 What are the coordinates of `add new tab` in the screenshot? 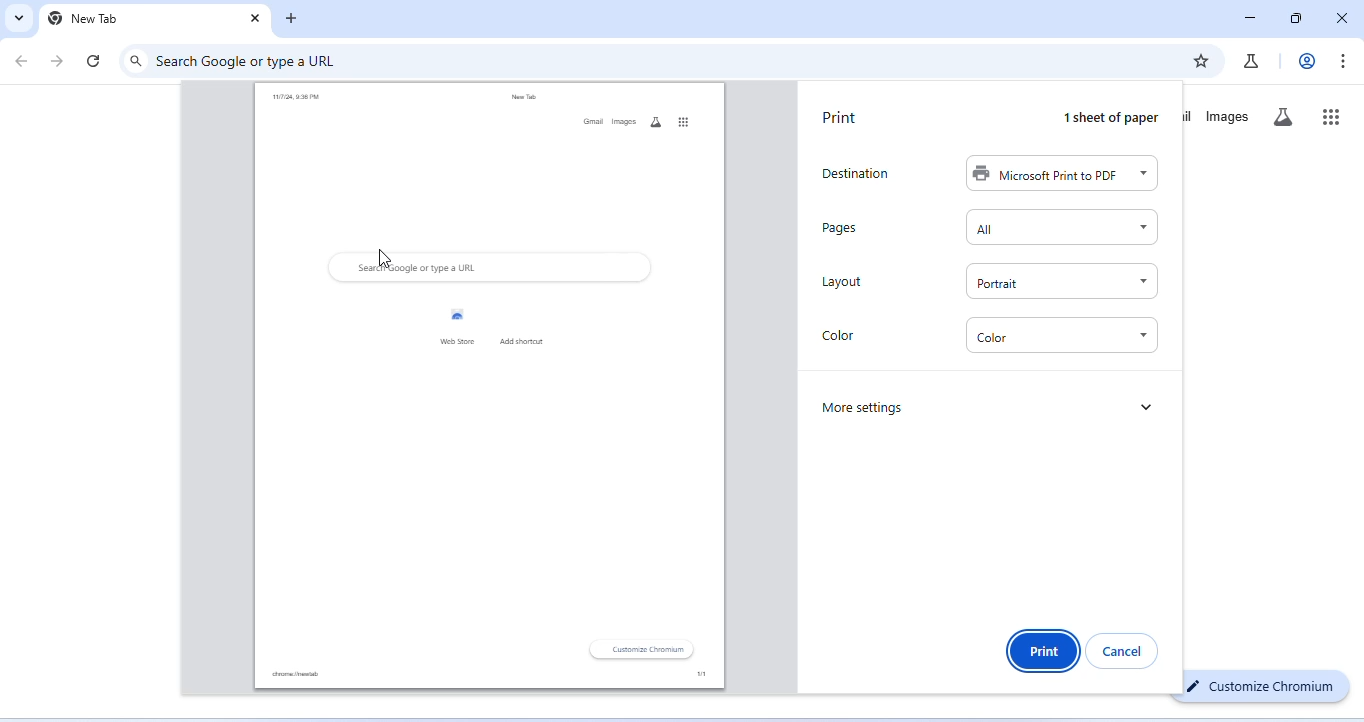 It's located at (294, 18).